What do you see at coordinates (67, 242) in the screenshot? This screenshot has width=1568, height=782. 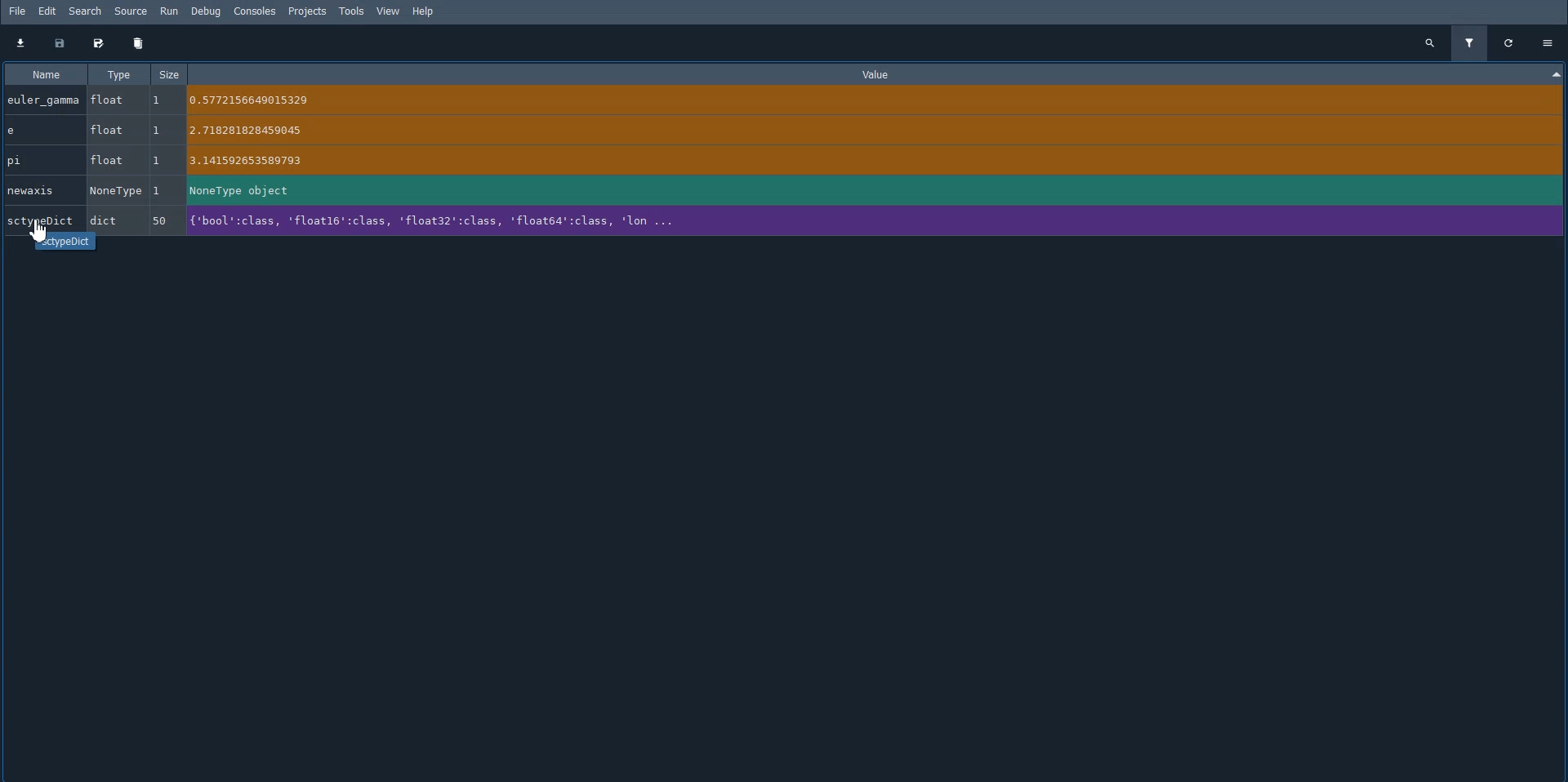 I see `sctypedict` at bounding box center [67, 242].